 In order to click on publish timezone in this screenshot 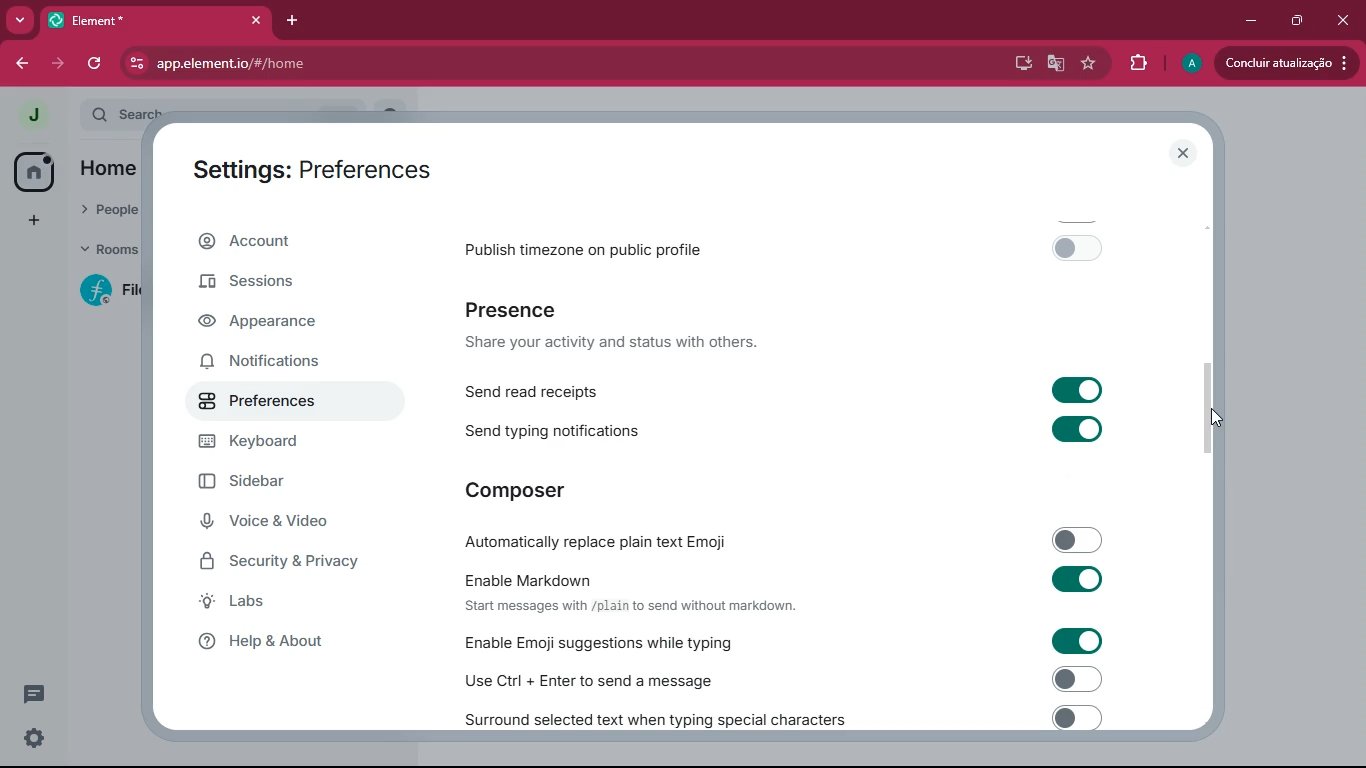, I will do `click(792, 247)`.